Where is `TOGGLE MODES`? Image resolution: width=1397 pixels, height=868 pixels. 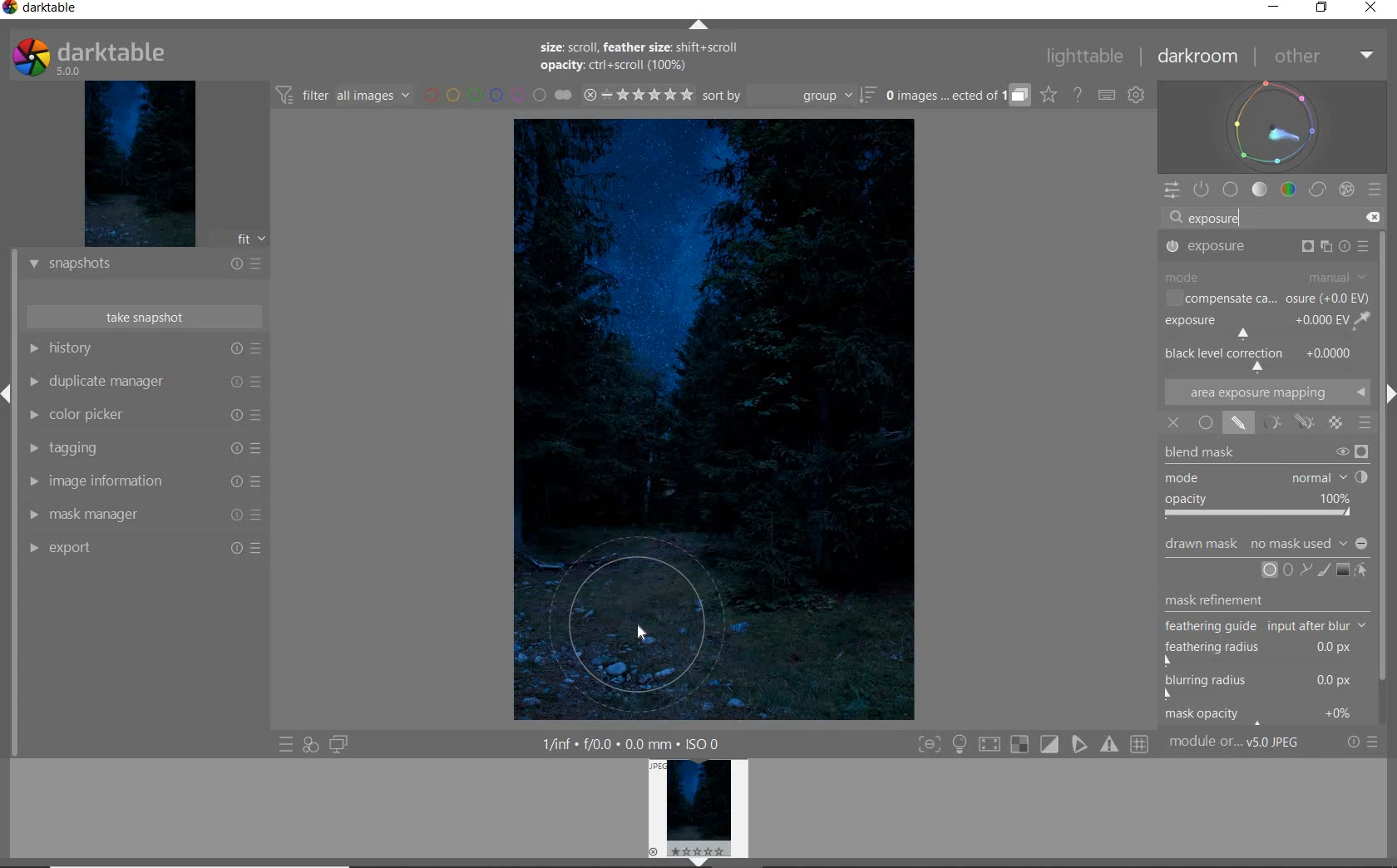
TOGGLE MODES is located at coordinates (1033, 744).